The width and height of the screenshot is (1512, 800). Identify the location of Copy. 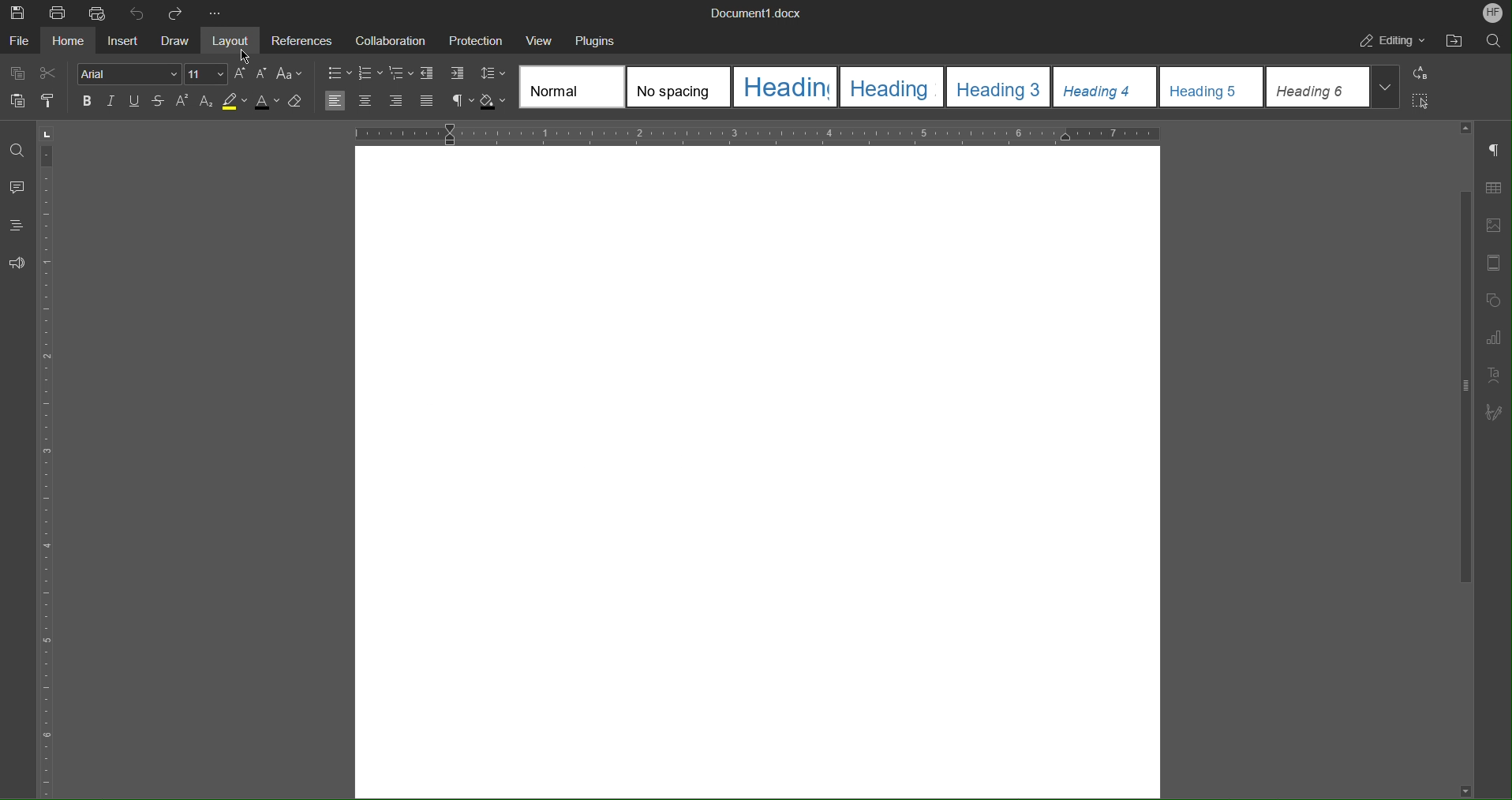
(19, 74).